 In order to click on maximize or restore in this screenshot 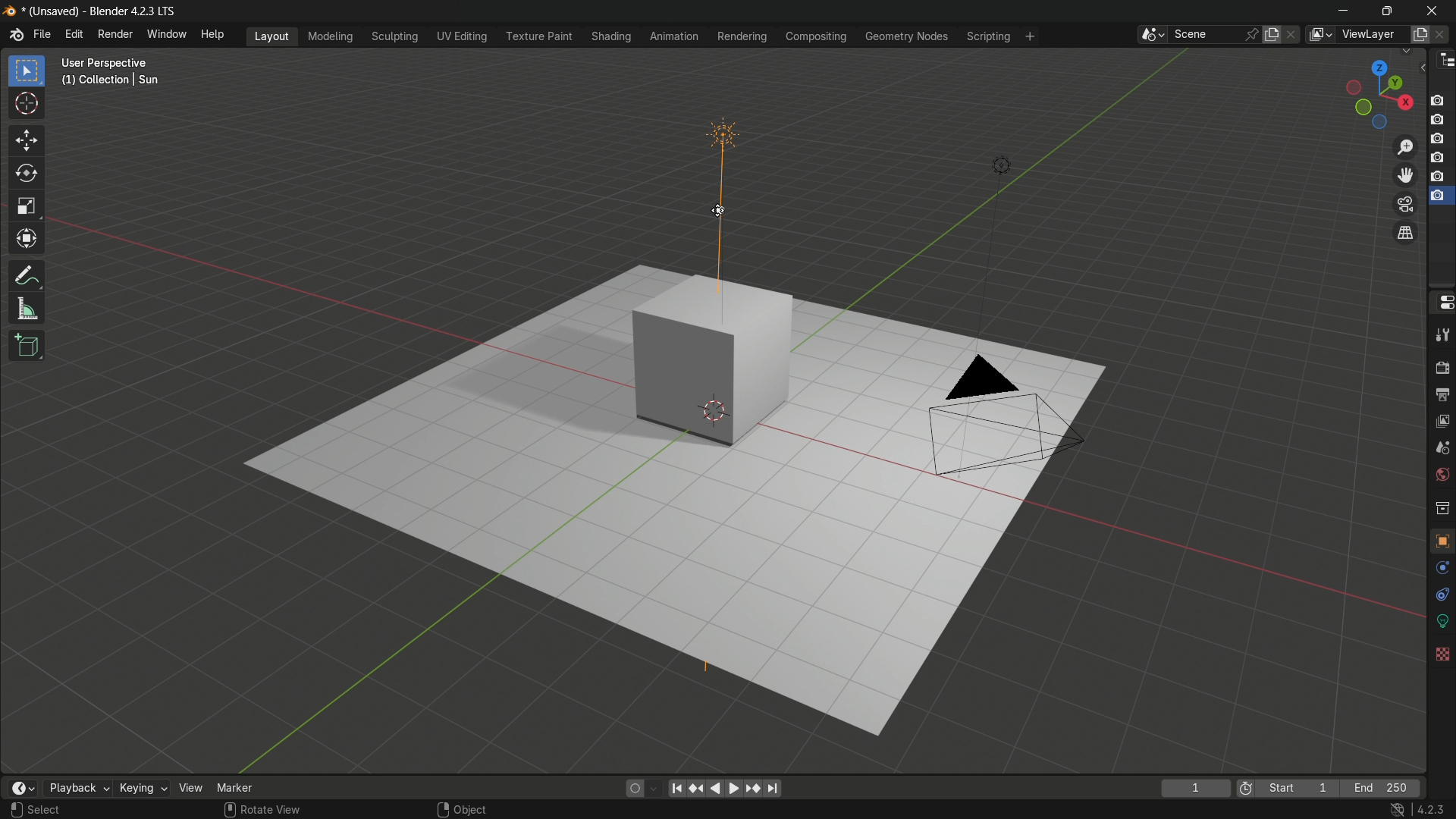, I will do `click(1385, 10)`.